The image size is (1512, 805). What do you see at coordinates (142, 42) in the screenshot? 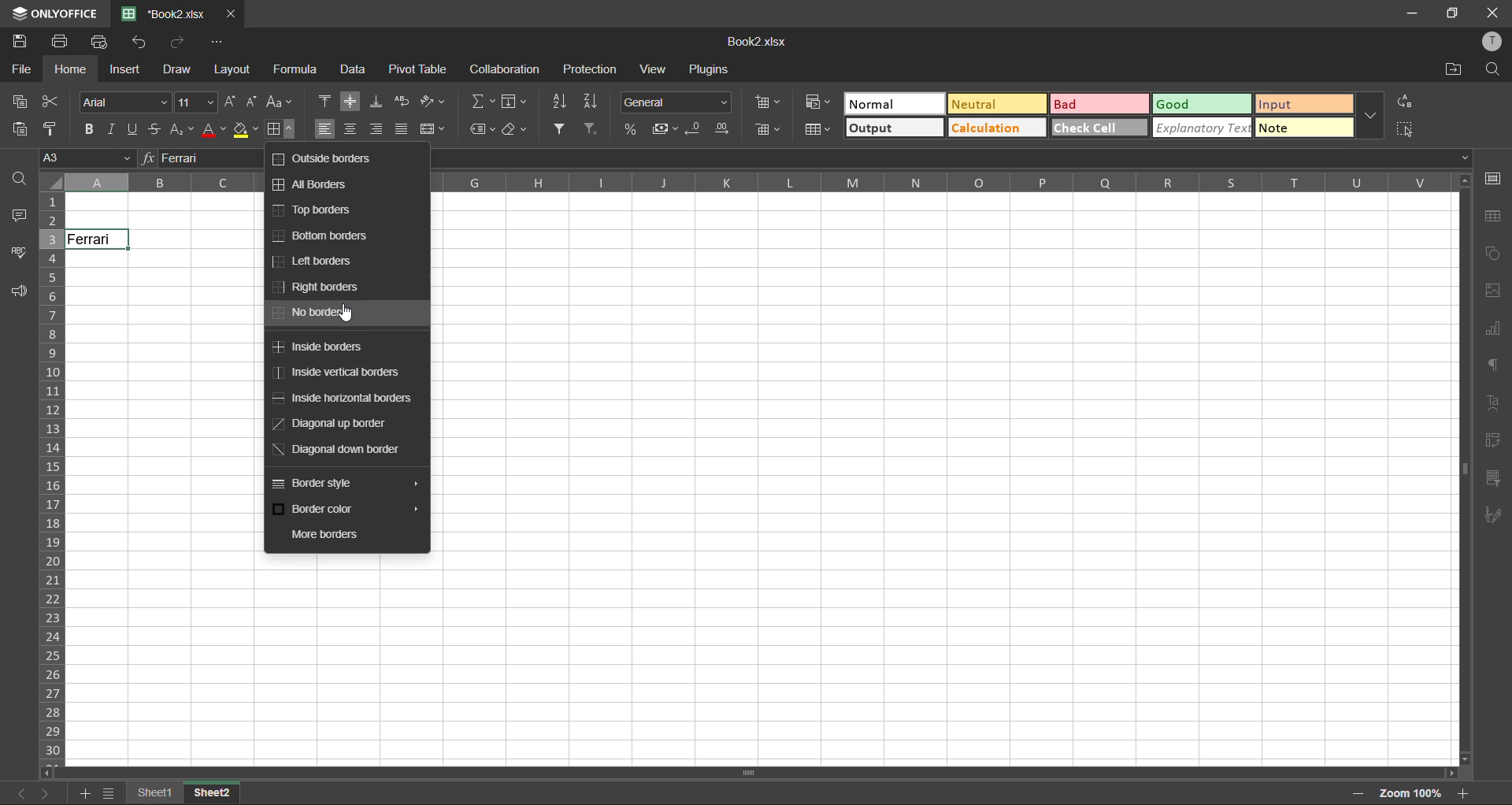
I see `undo` at bounding box center [142, 42].